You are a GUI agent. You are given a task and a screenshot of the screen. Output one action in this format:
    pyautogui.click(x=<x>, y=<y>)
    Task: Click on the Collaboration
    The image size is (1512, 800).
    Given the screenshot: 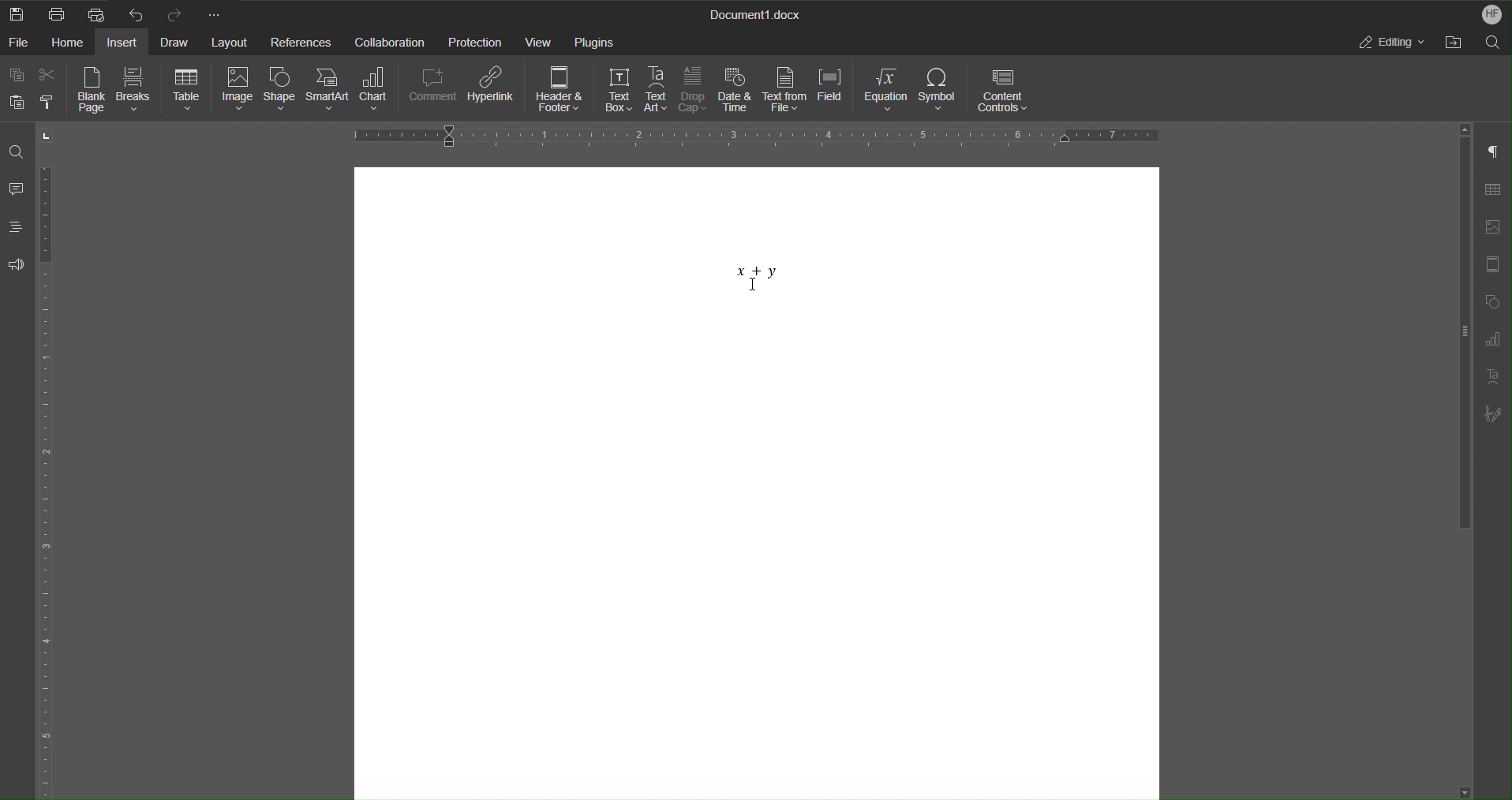 What is the action you would take?
    pyautogui.click(x=392, y=42)
    